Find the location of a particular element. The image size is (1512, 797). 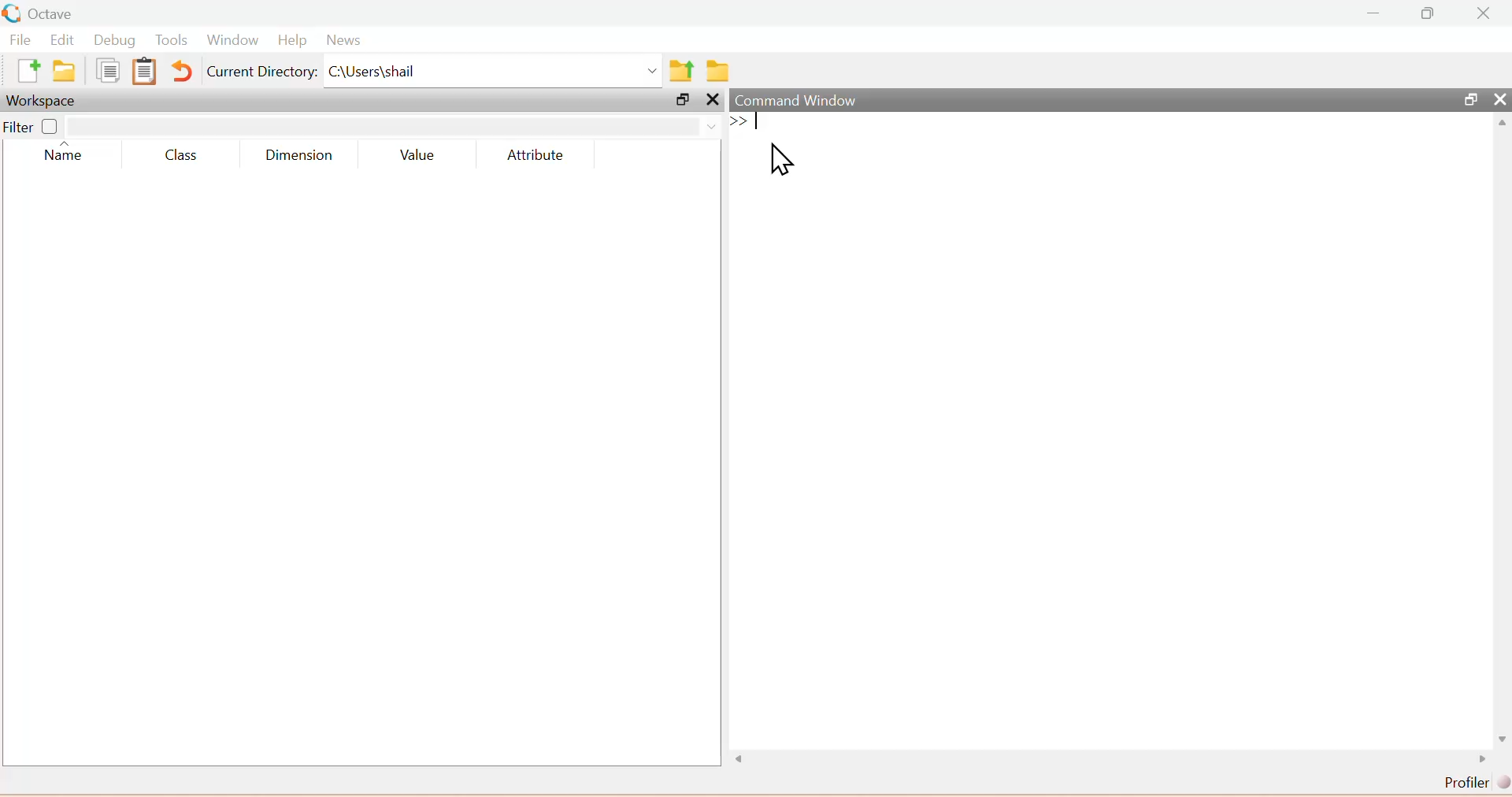

Window is located at coordinates (229, 42).